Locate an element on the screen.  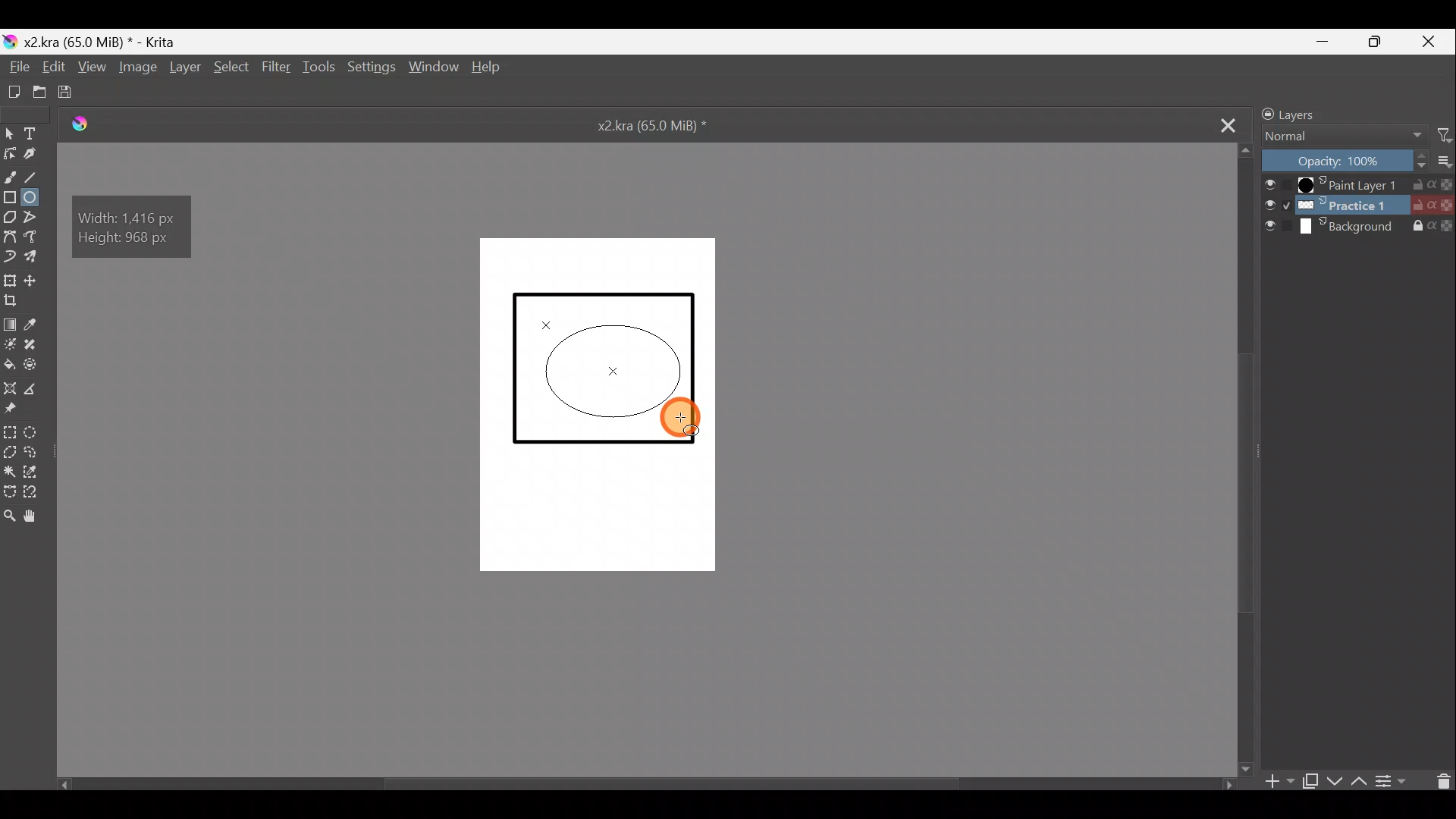
Reference images tool is located at coordinates (17, 410).